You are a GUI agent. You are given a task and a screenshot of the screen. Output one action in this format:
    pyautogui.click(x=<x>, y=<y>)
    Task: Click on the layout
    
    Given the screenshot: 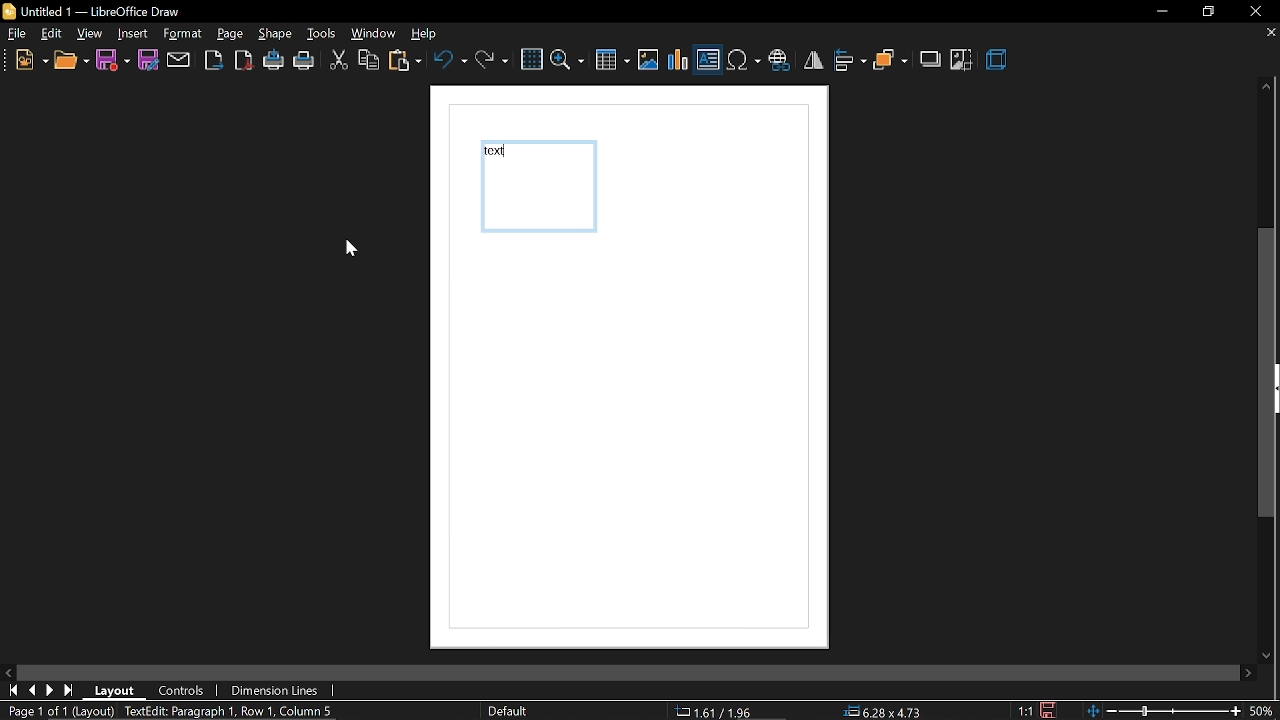 What is the action you would take?
    pyautogui.click(x=121, y=690)
    